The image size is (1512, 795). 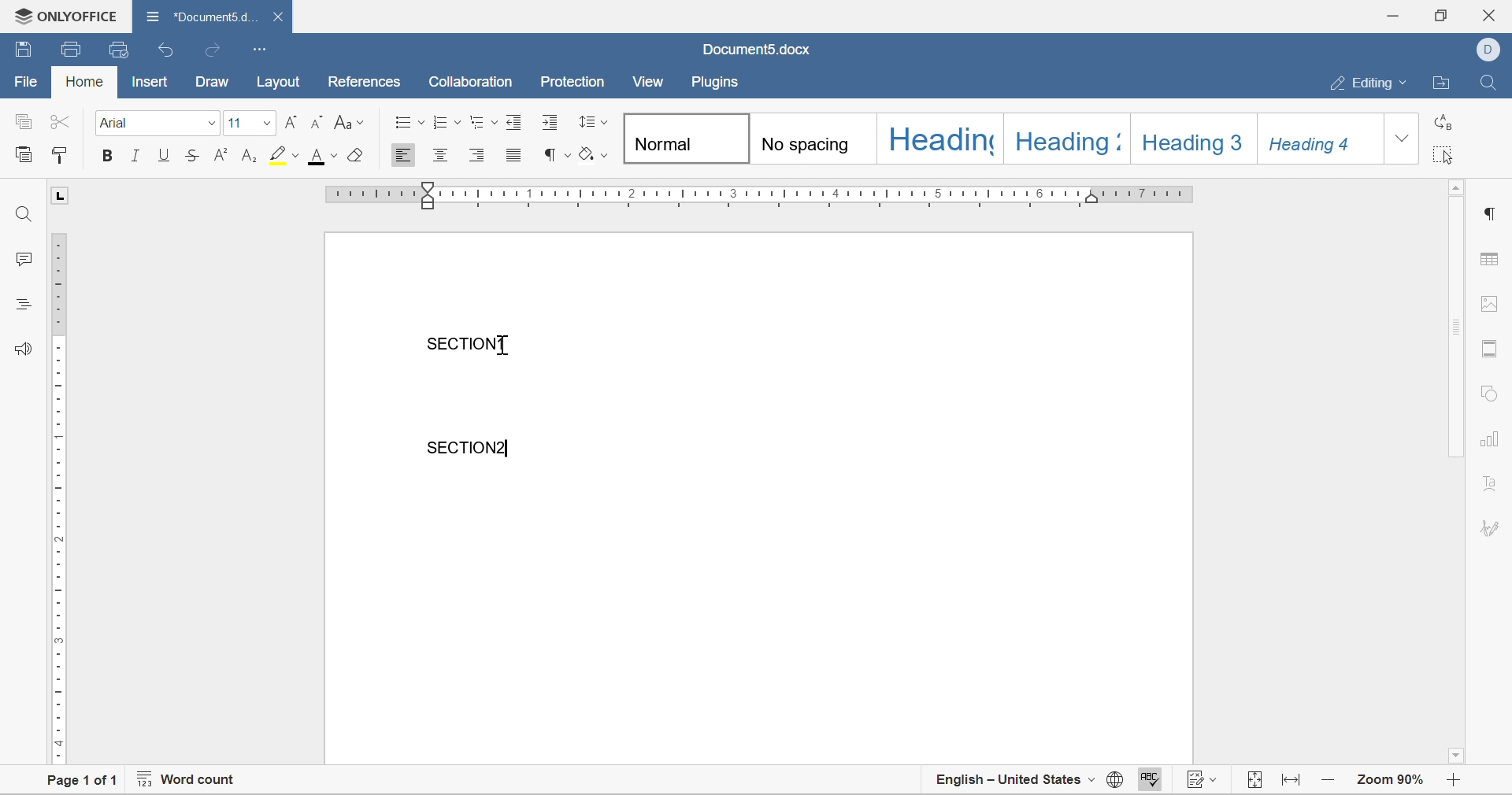 I want to click on insert, so click(x=148, y=81).